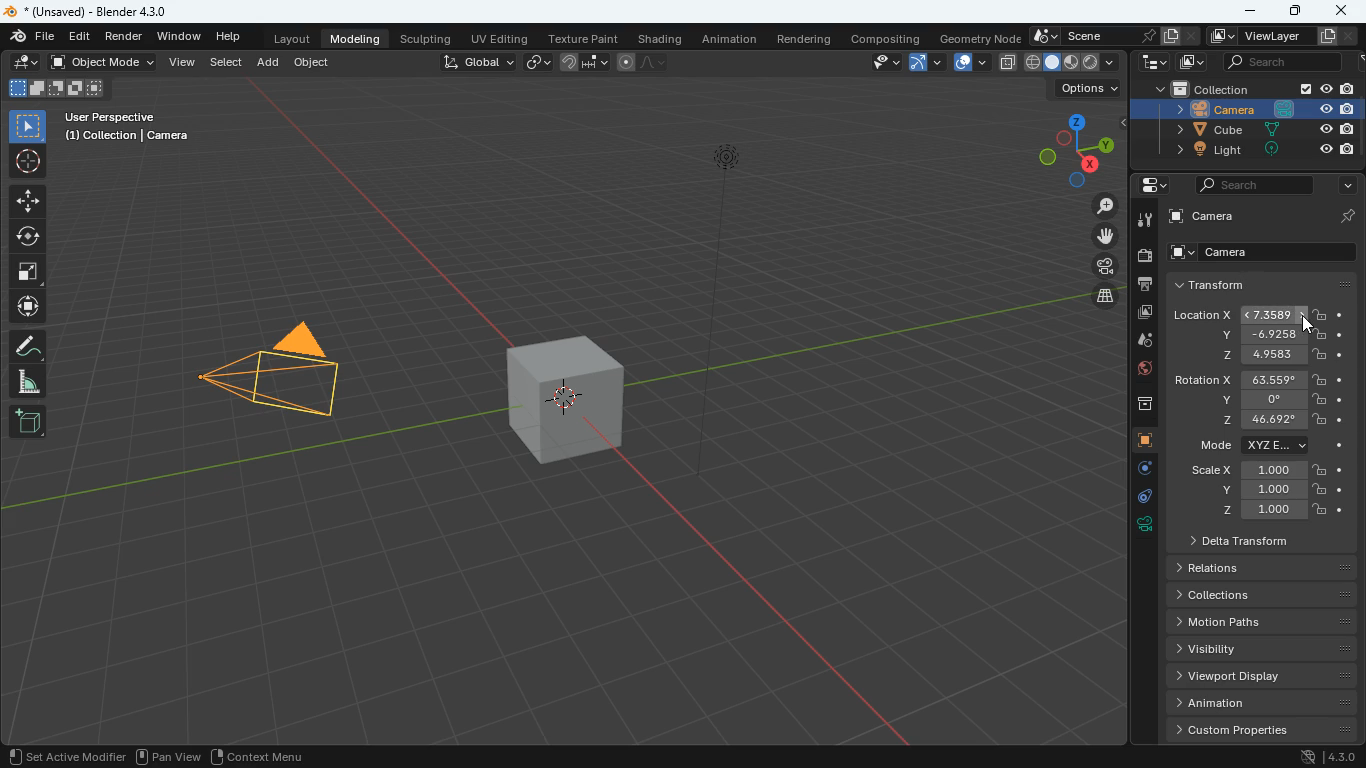 The height and width of the screenshot is (768, 1366). What do you see at coordinates (1252, 129) in the screenshot?
I see `cube` at bounding box center [1252, 129].